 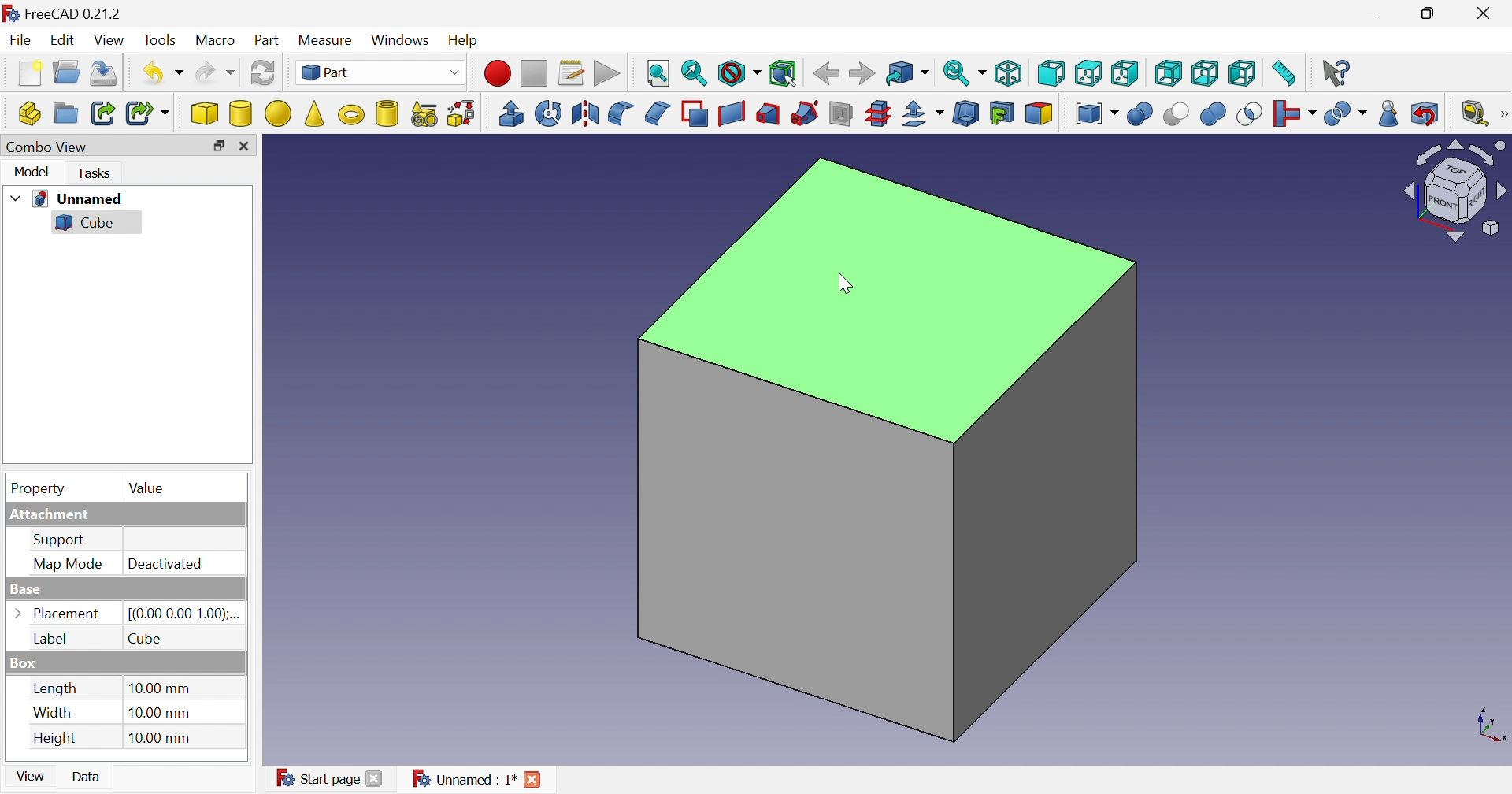 I want to click on Refresh, so click(x=263, y=72).